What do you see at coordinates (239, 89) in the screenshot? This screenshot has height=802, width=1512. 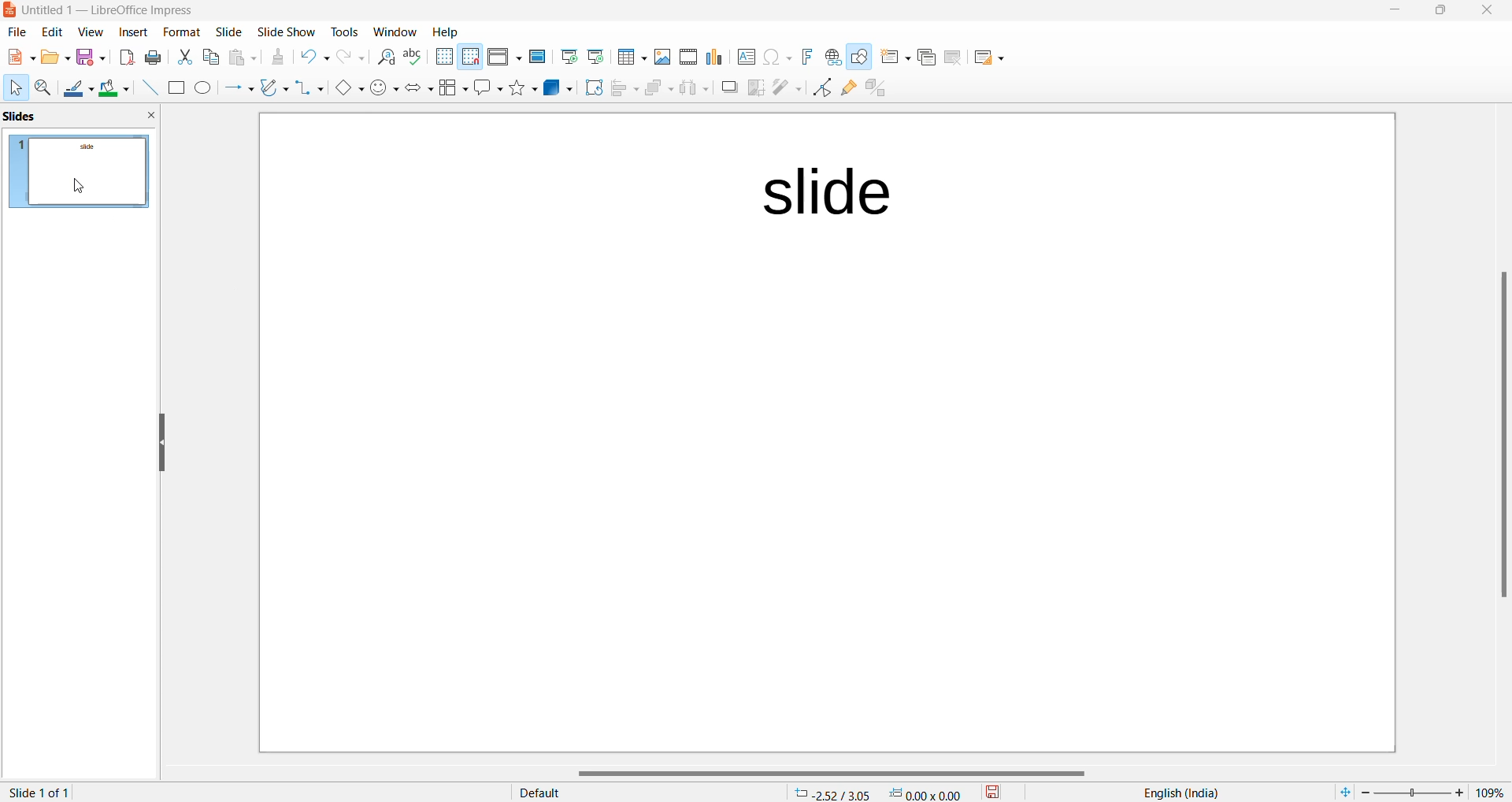 I see `line and arrows ` at bounding box center [239, 89].